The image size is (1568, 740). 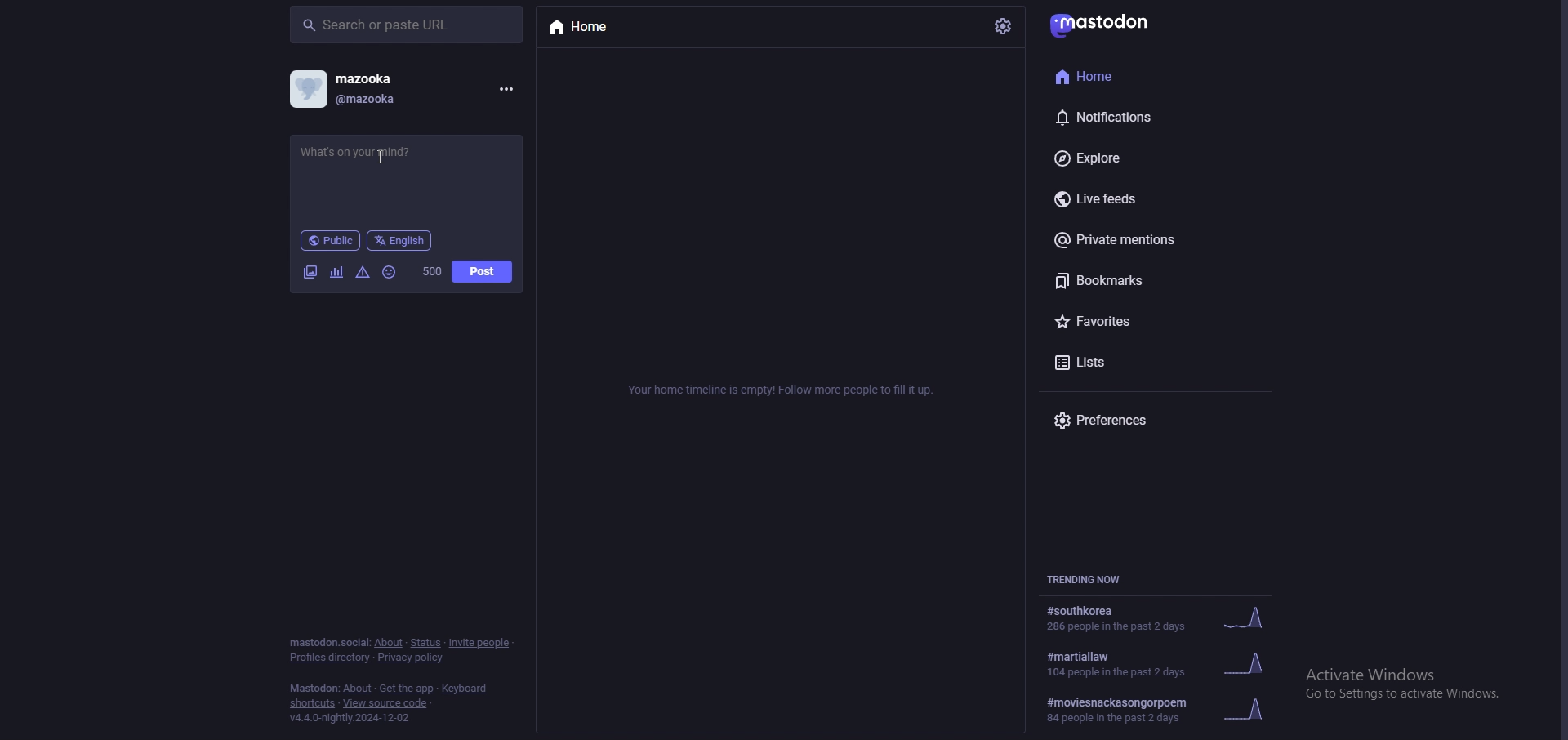 What do you see at coordinates (482, 642) in the screenshot?
I see `invite people` at bounding box center [482, 642].